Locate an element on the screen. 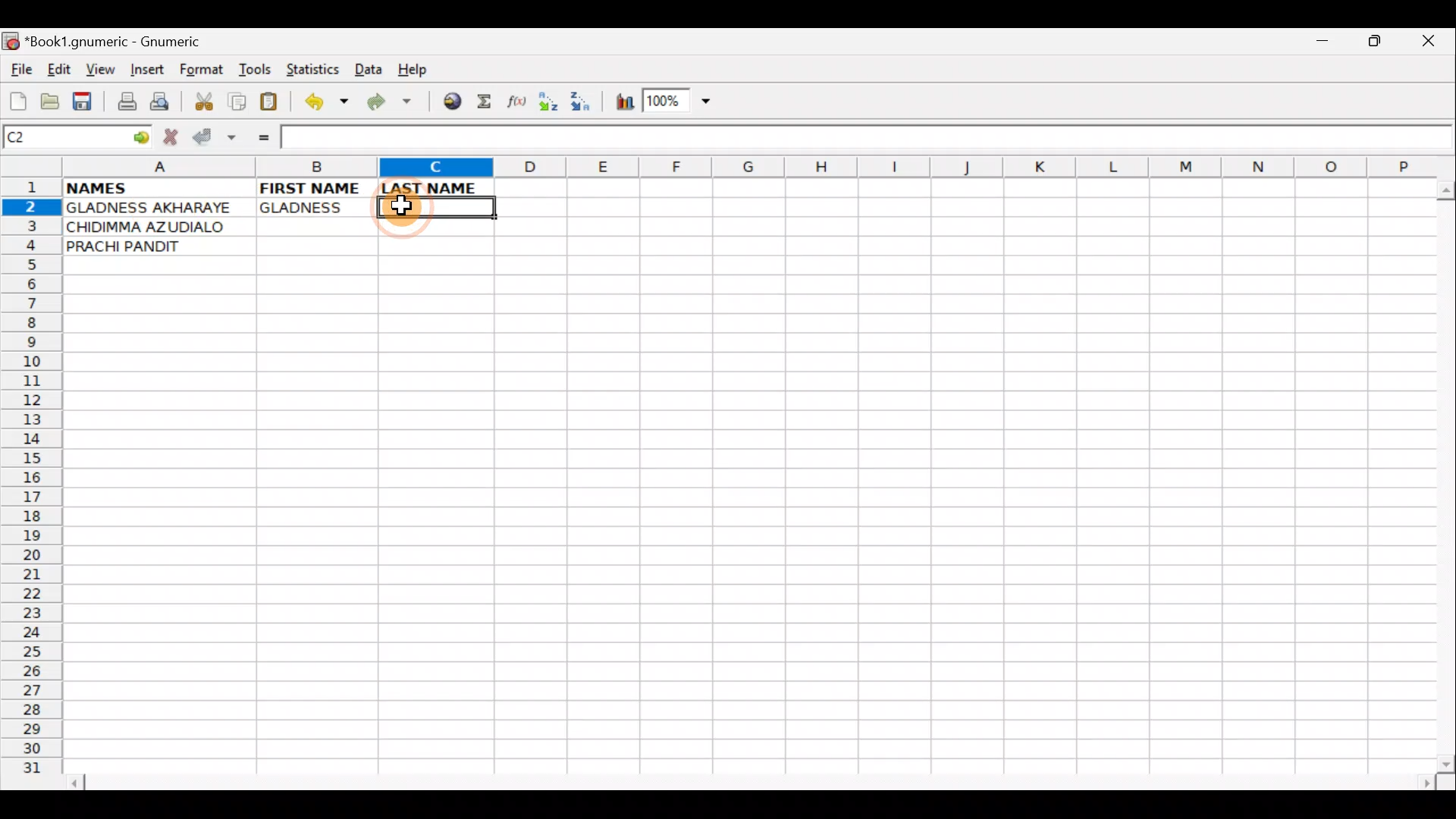  Gnumeric logo is located at coordinates (11, 42).